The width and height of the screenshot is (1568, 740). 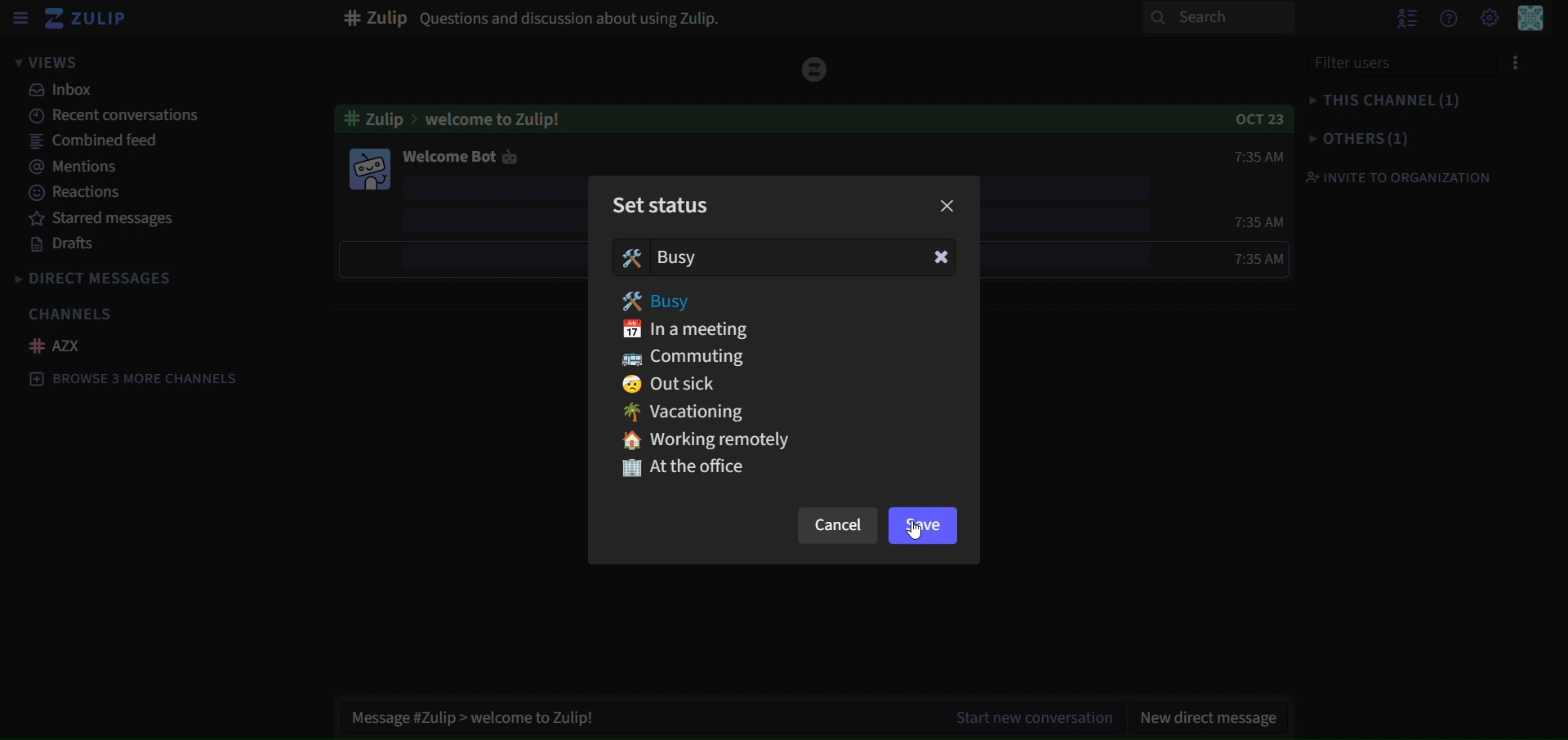 I want to click on combined feed, so click(x=98, y=143).